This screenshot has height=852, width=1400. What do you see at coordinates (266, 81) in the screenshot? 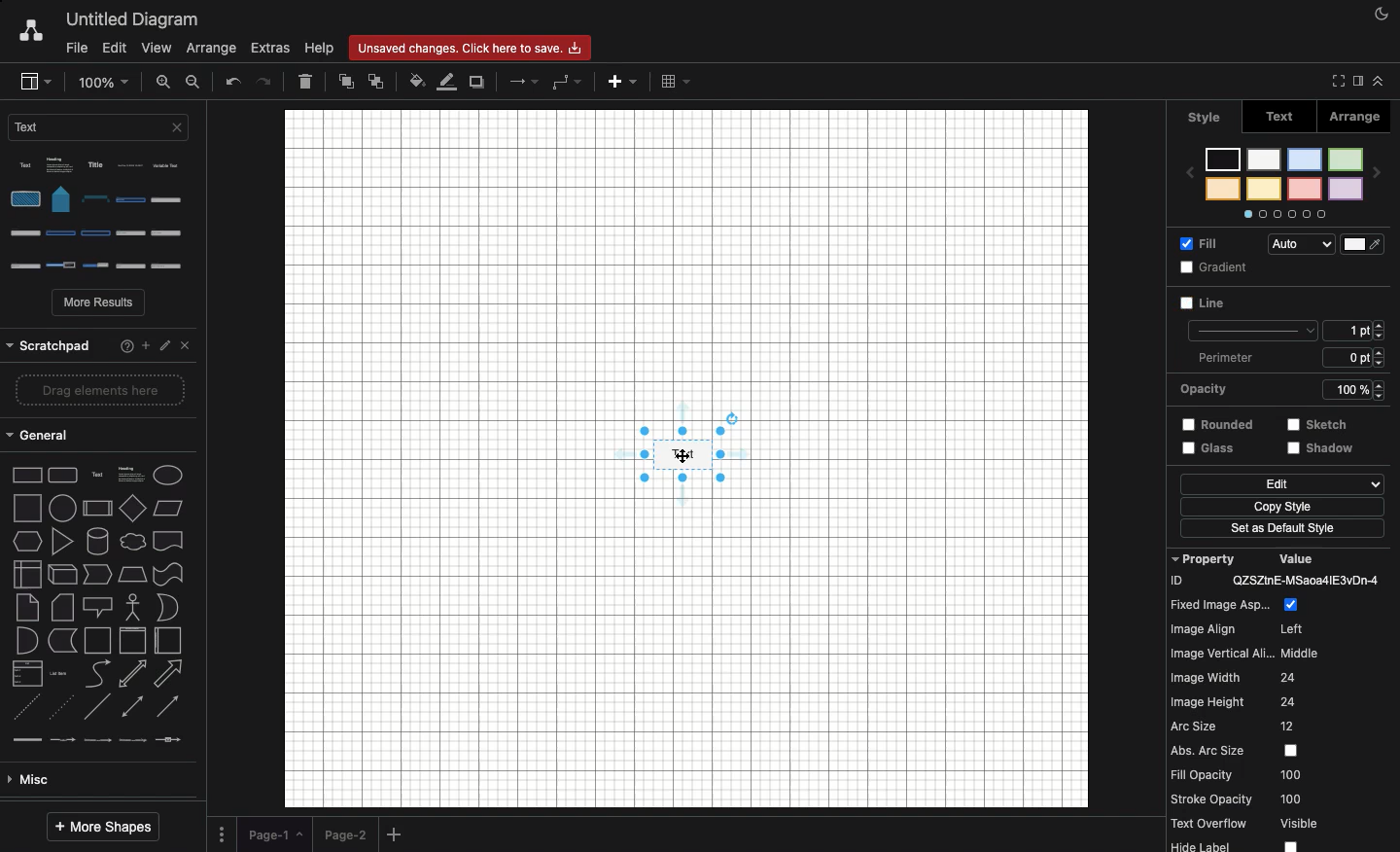
I see `Redo` at bounding box center [266, 81].